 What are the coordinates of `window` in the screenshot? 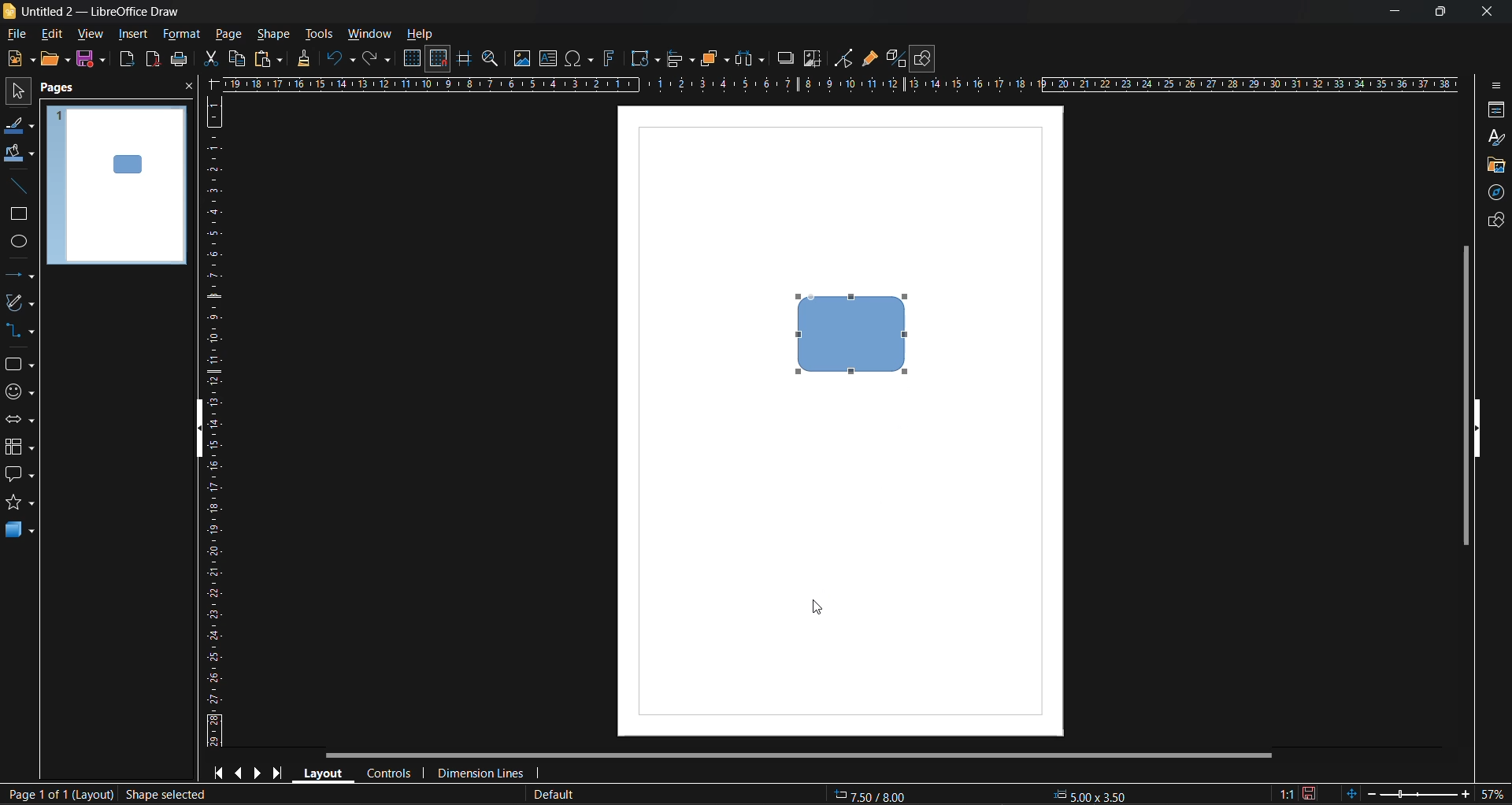 It's located at (368, 35).